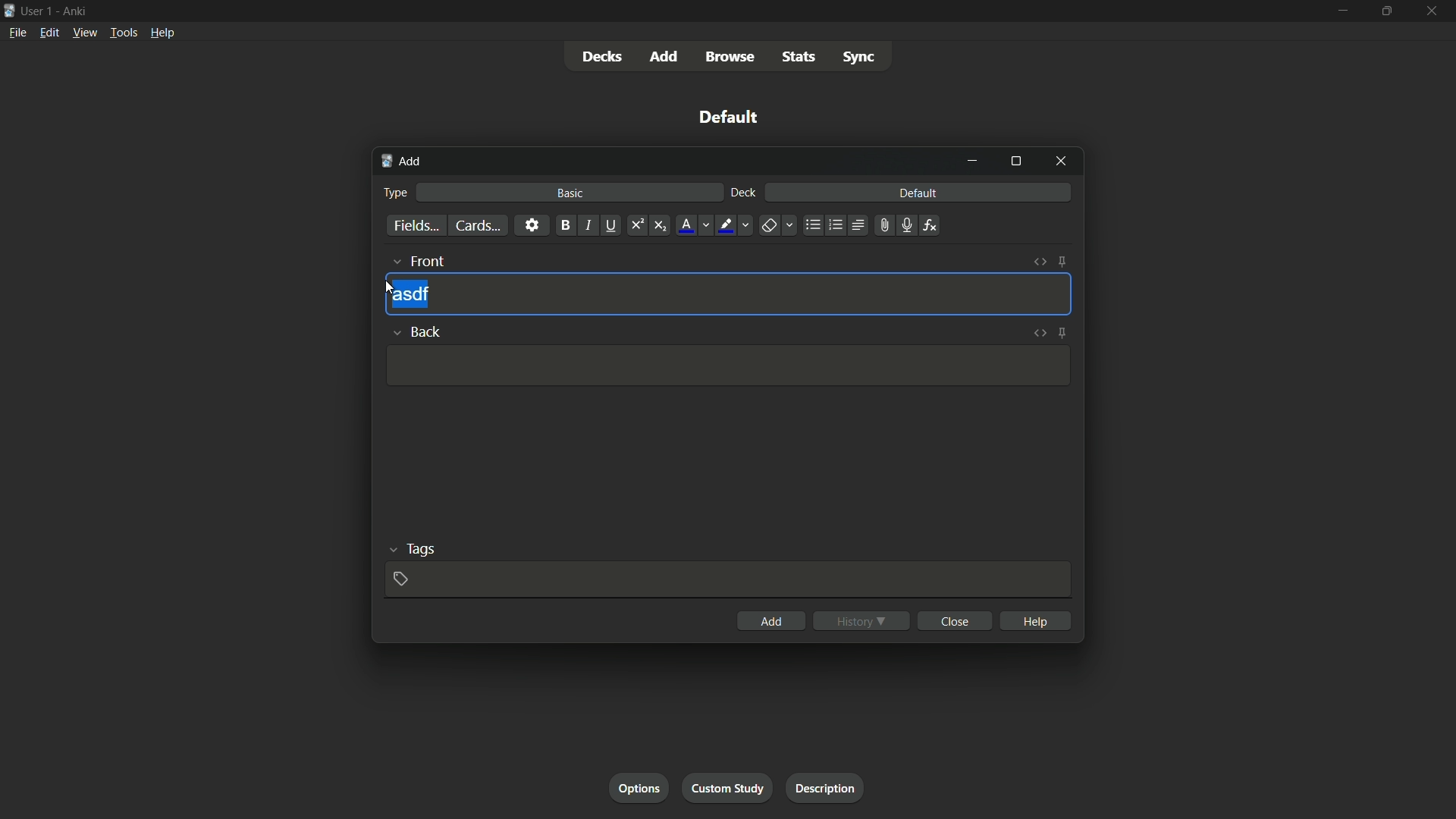 This screenshot has width=1456, height=819. What do you see at coordinates (725, 366) in the screenshot?
I see `Input Template` at bounding box center [725, 366].